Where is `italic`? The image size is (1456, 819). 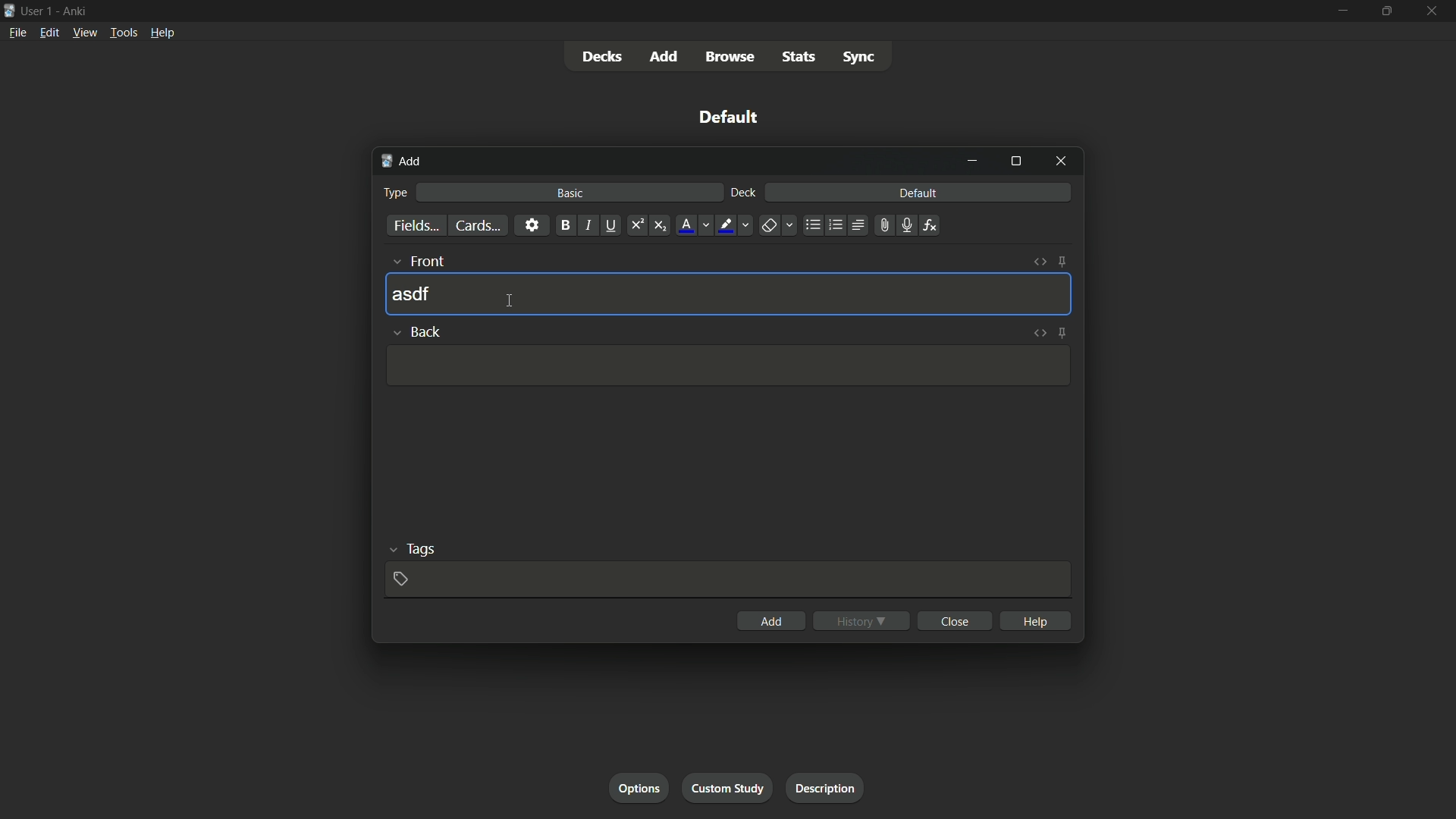 italic is located at coordinates (587, 224).